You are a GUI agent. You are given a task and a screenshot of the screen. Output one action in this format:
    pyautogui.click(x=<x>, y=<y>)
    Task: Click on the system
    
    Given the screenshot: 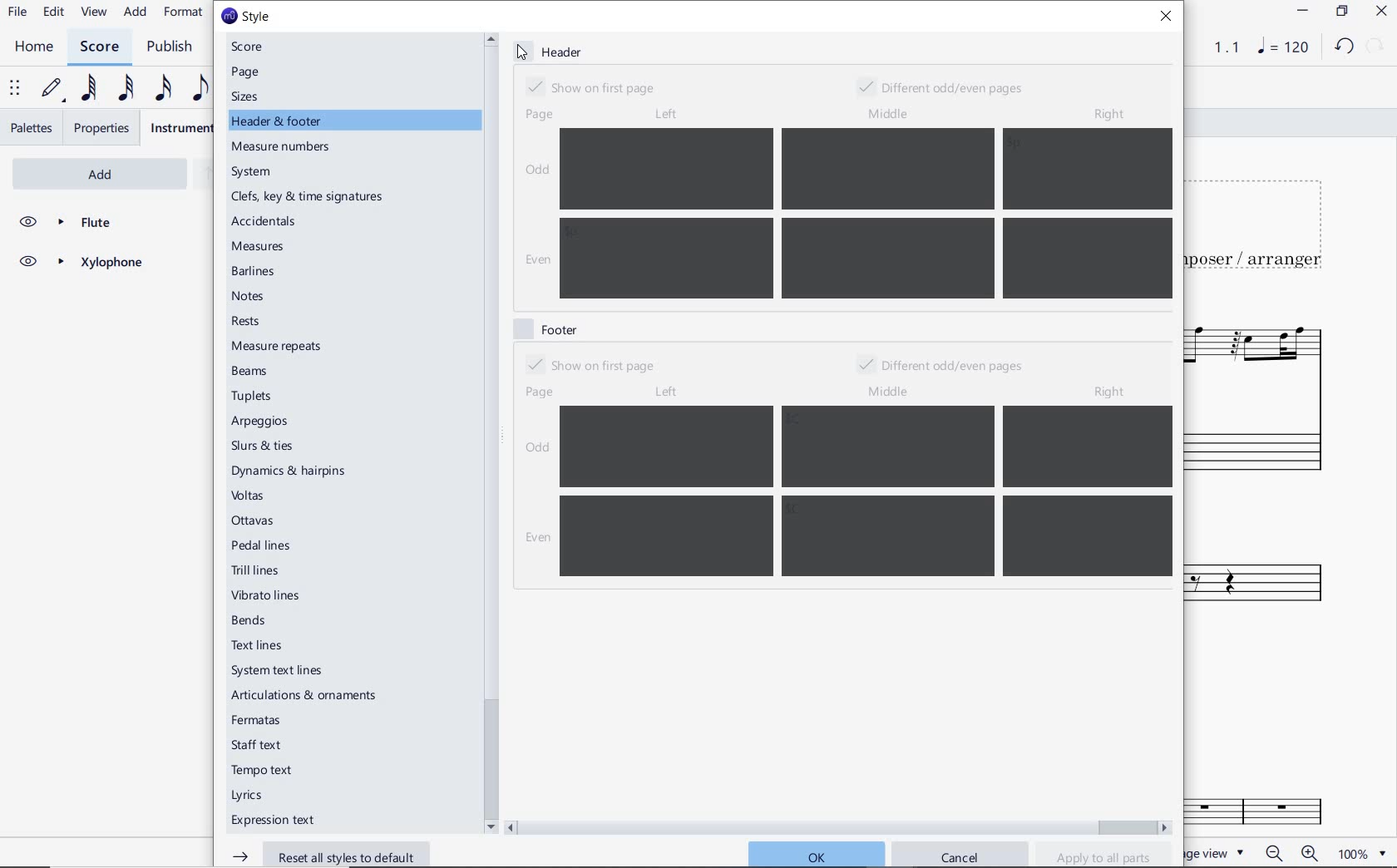 What is the action you would take?
    pyautogui.click(x=254, y=172)
    